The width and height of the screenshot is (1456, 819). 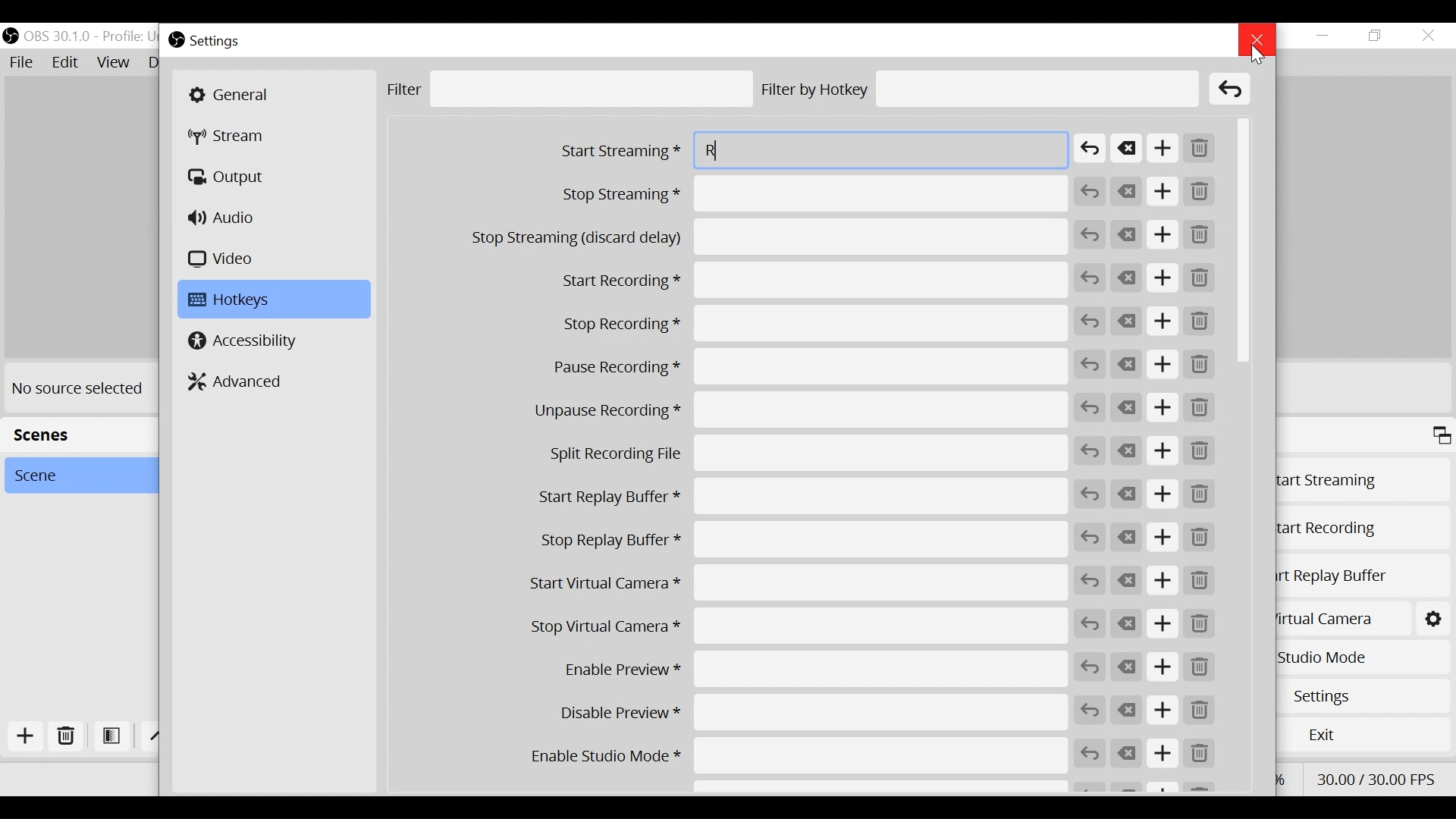 I want to click on Audio, so click(x=225, y=217).